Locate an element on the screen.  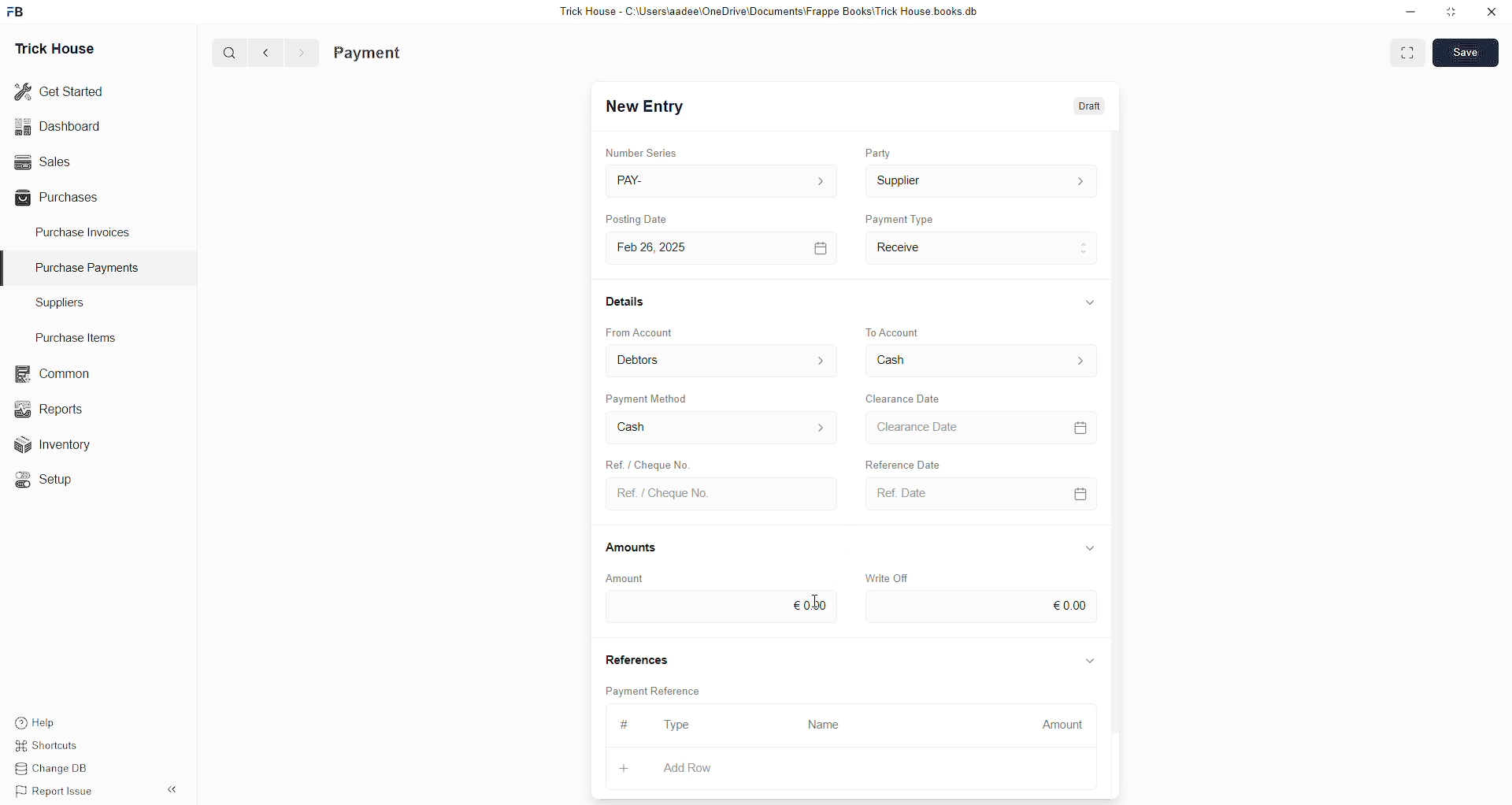
search is located at coordinates (231, 53).